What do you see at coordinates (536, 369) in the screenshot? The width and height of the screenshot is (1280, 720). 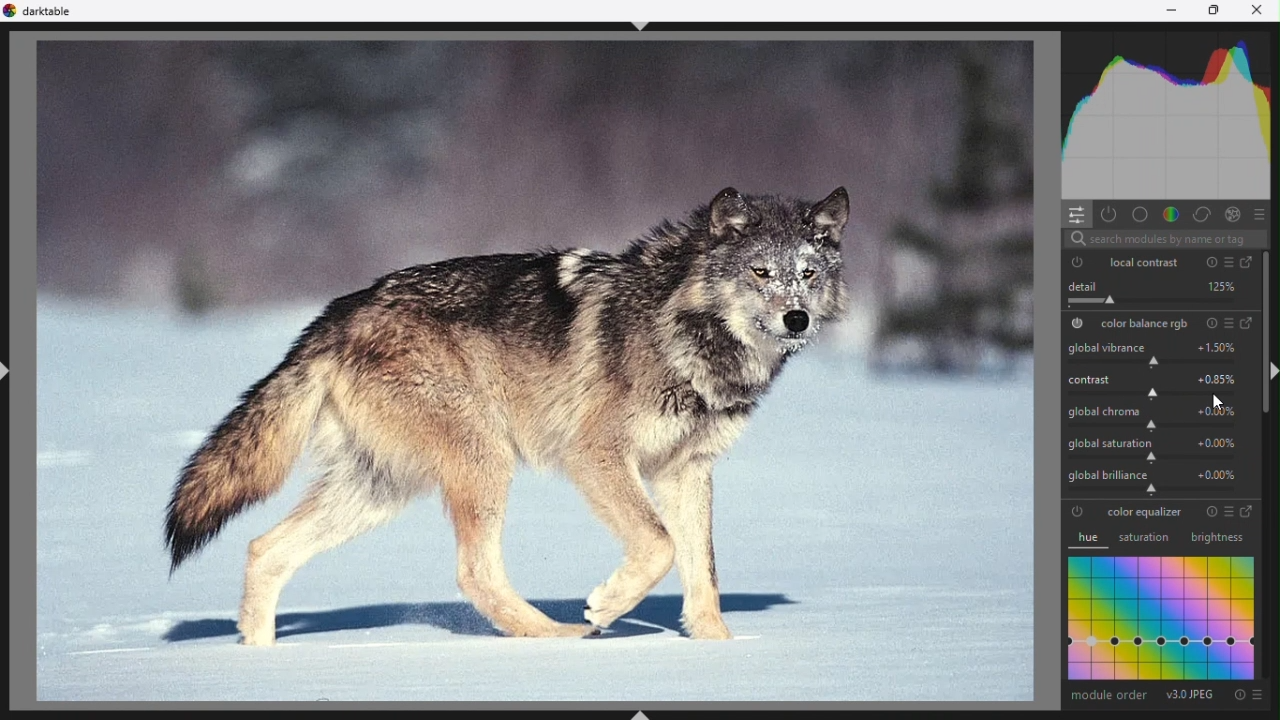 I see `image` at bounding box center [536, 369].